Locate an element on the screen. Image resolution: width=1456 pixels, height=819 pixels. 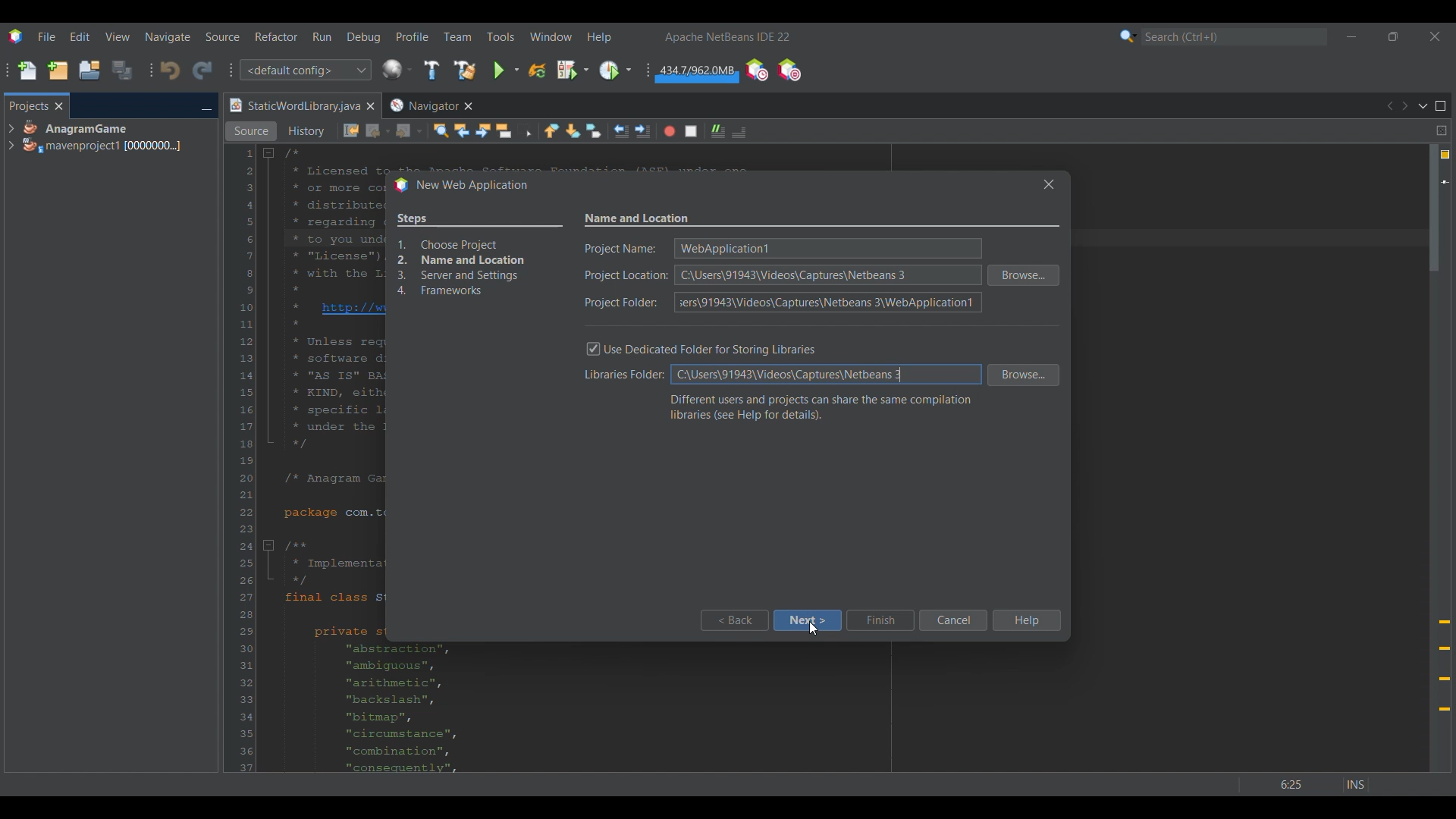
New text pasted into text box is located at coordinates (805, 375).